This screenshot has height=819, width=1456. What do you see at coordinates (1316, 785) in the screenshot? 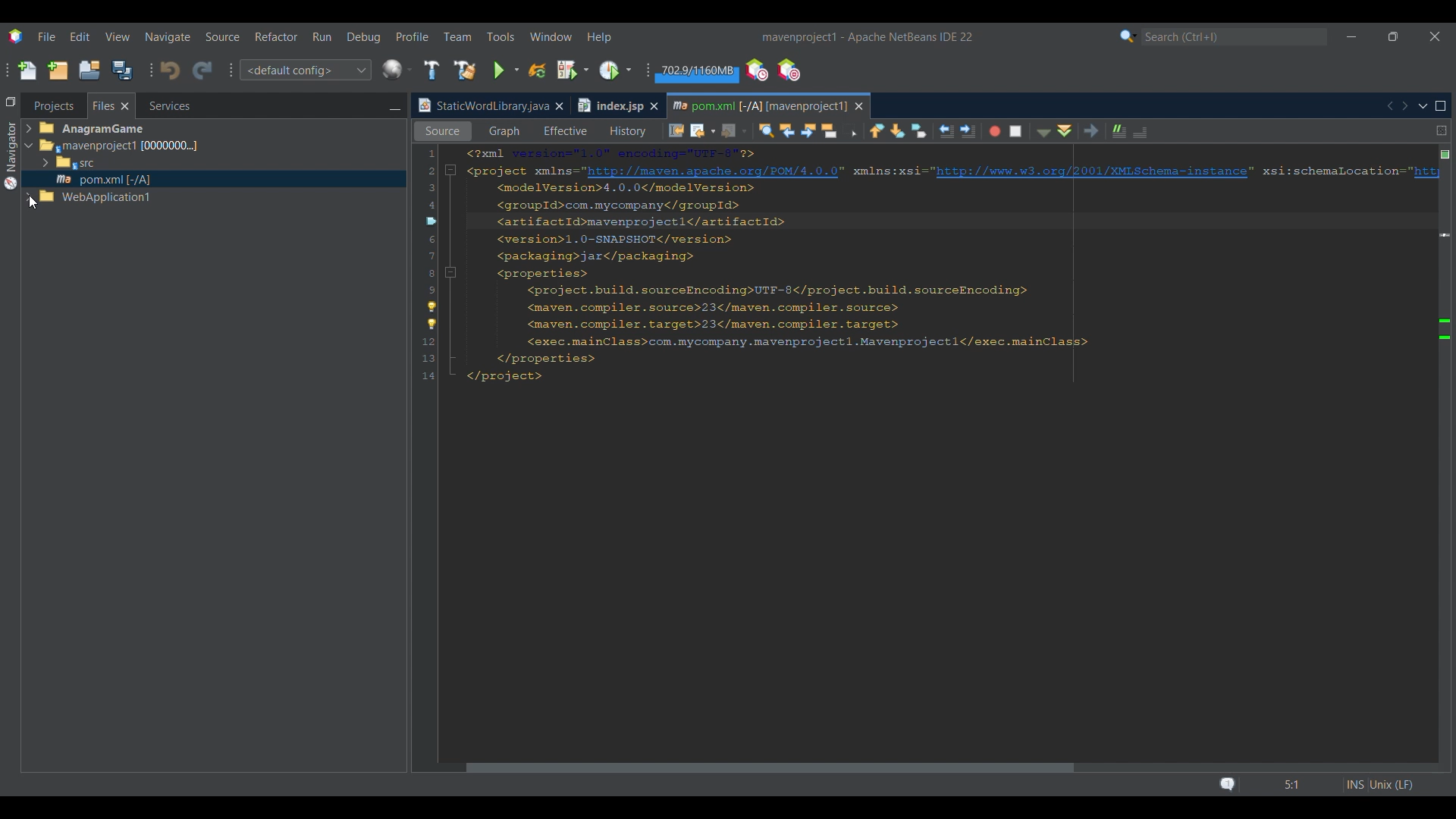
I see `Status bar details changed` at bounding box center [1316, 785].